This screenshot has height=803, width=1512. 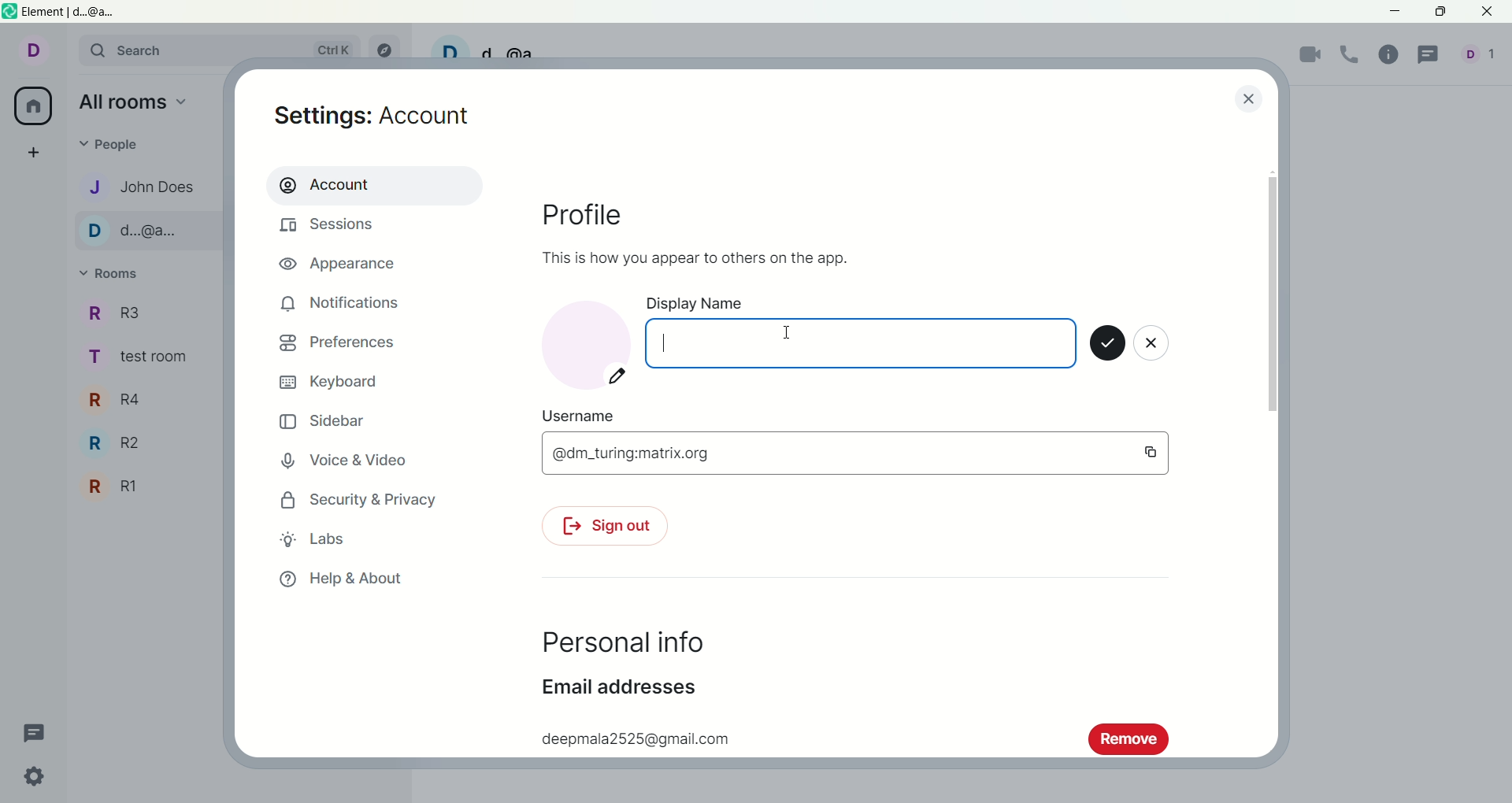 What do you see at coordinates (1311, 57) in the screenshot?
I see `video call` at bounding box center [1311, 57].